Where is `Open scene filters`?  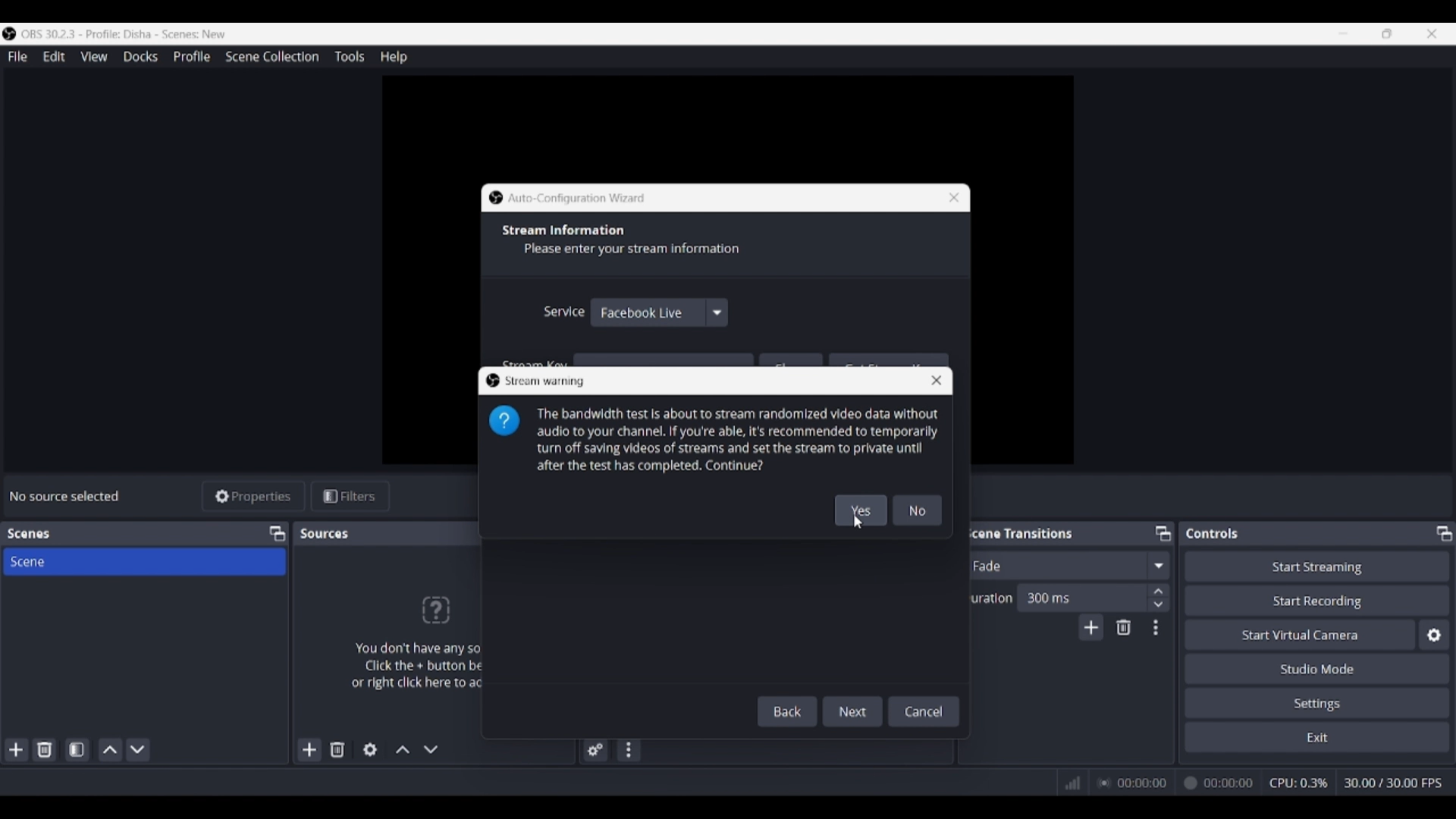 Open scene filters is located at coordinates (77, 749).